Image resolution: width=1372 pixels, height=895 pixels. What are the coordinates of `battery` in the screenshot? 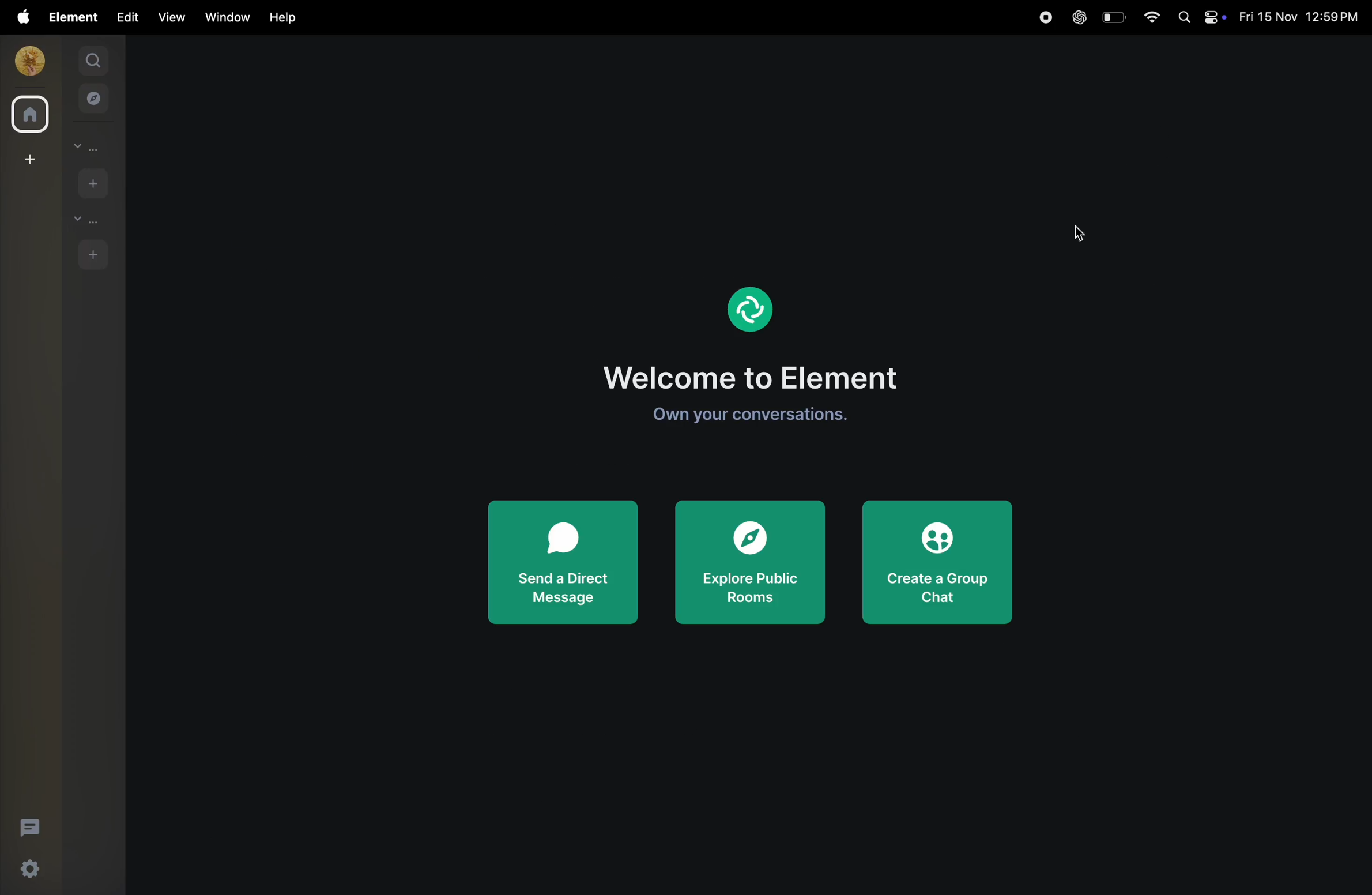 It's located at (1113, 17).